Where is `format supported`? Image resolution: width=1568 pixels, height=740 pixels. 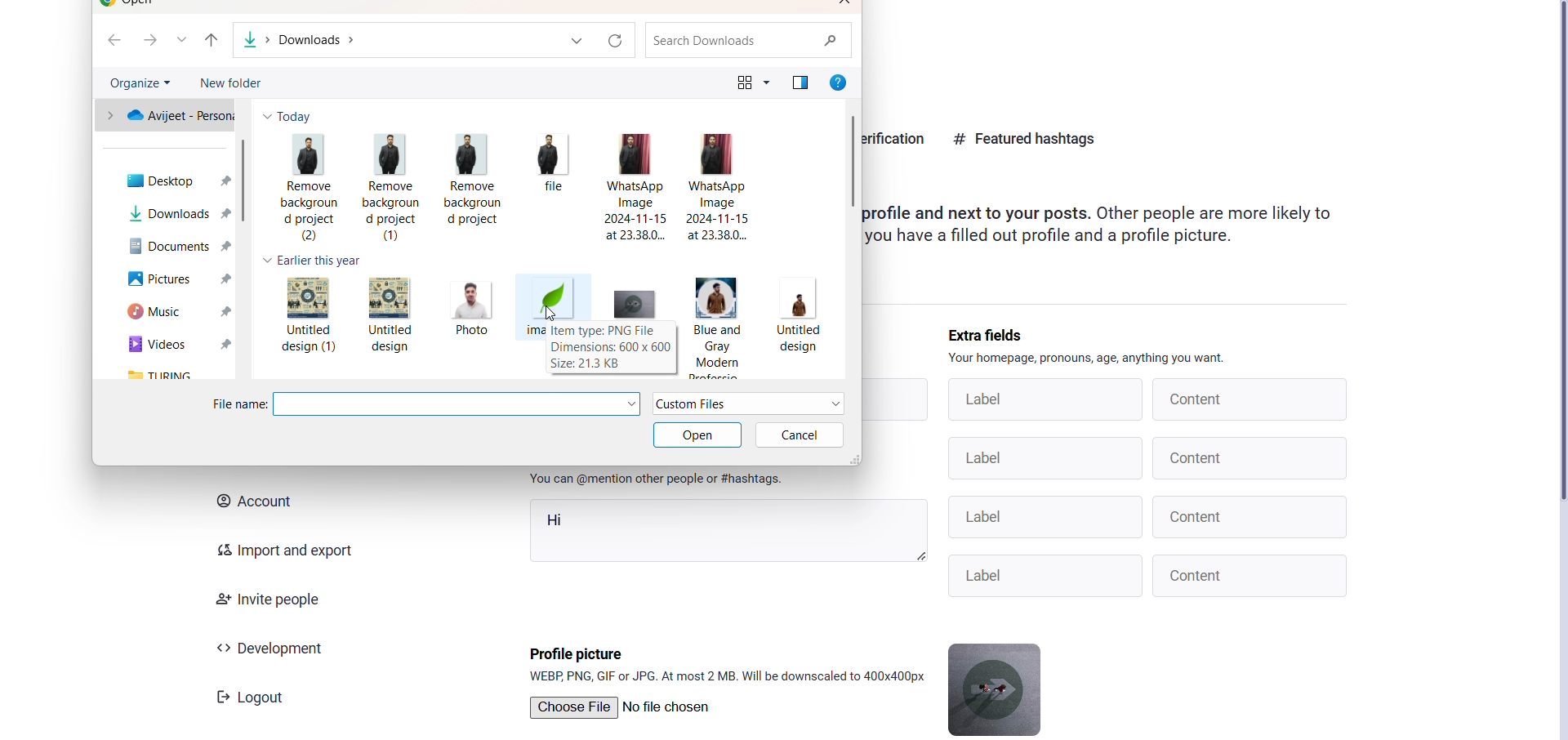
format supported is located at coordinates (729, 676).